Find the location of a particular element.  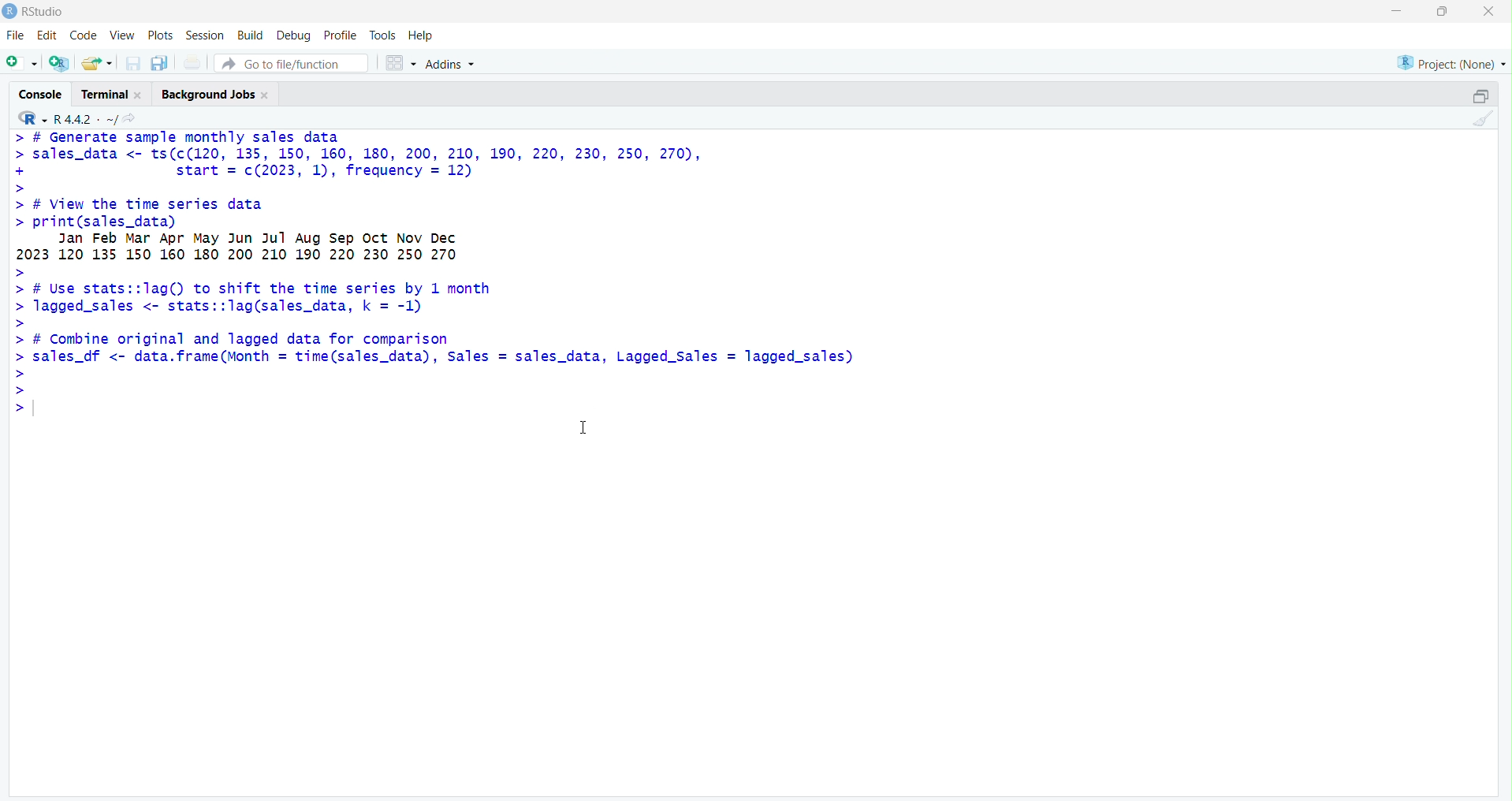

file is located at coordinates (13, 35).